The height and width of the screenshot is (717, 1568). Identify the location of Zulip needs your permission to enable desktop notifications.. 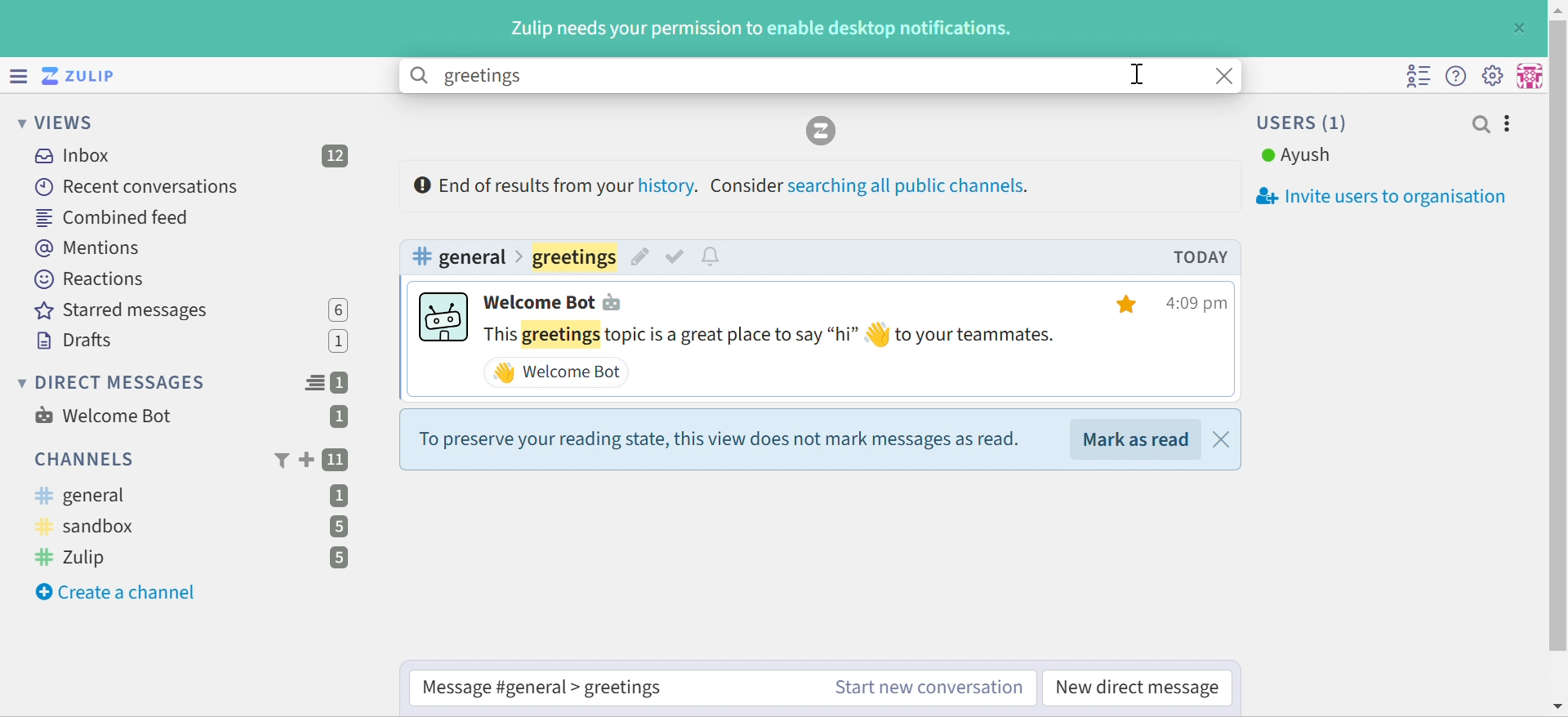
(764, 29).